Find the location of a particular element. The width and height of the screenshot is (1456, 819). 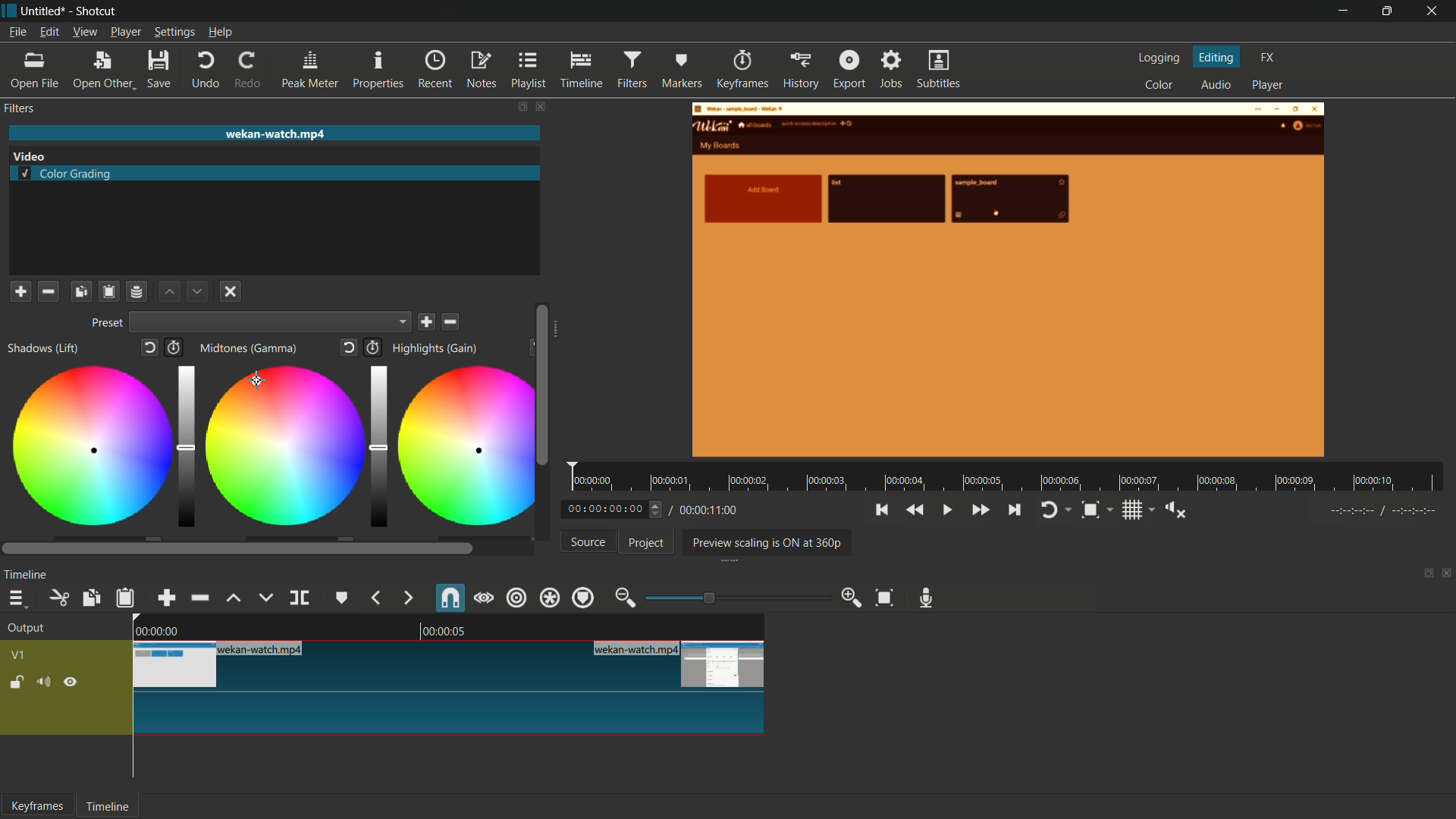

output is located at coordinates (27, 630).